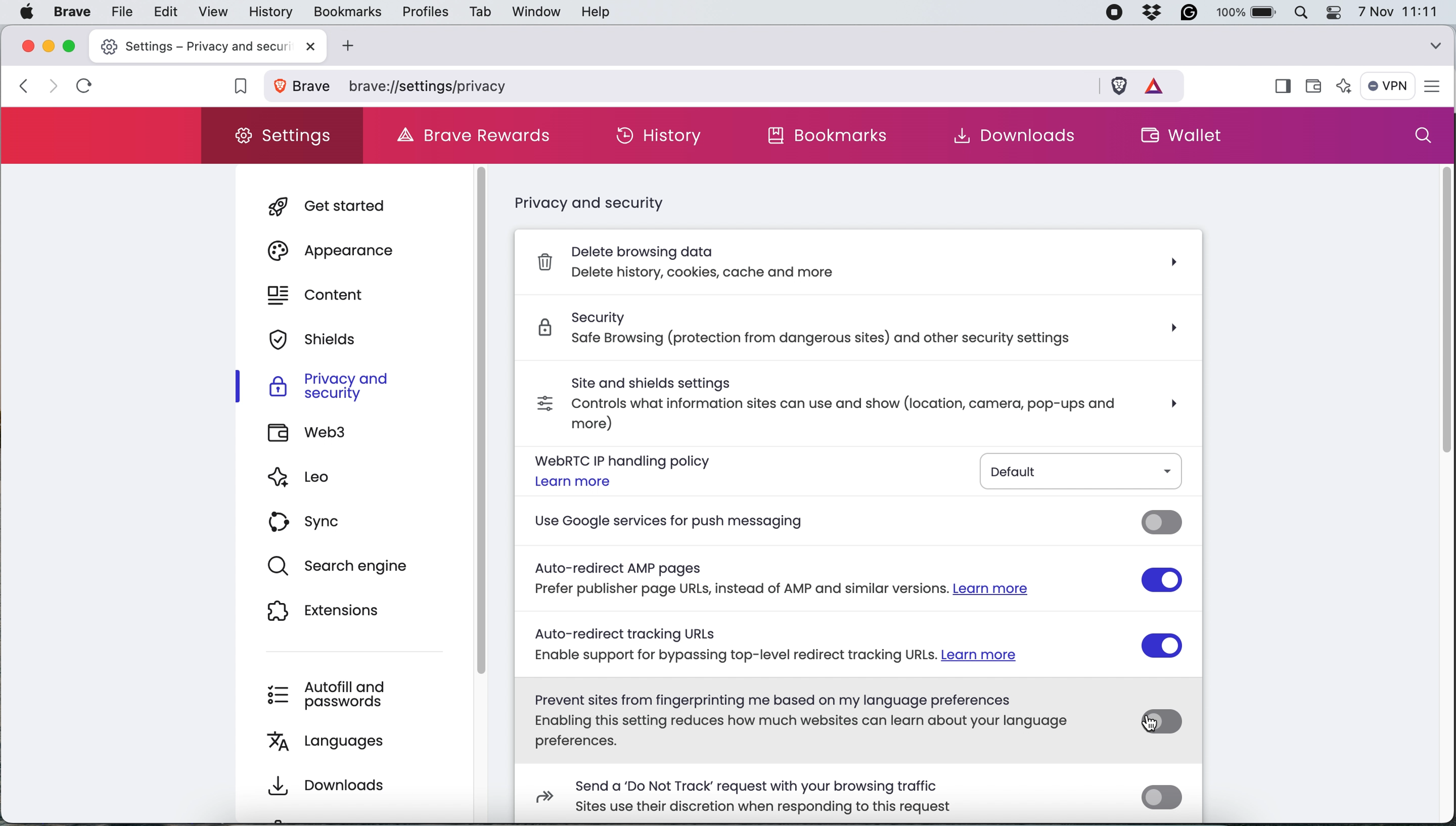  Describe the element at coordinates (210, 12) in the screenshot. I see `view` at that location.